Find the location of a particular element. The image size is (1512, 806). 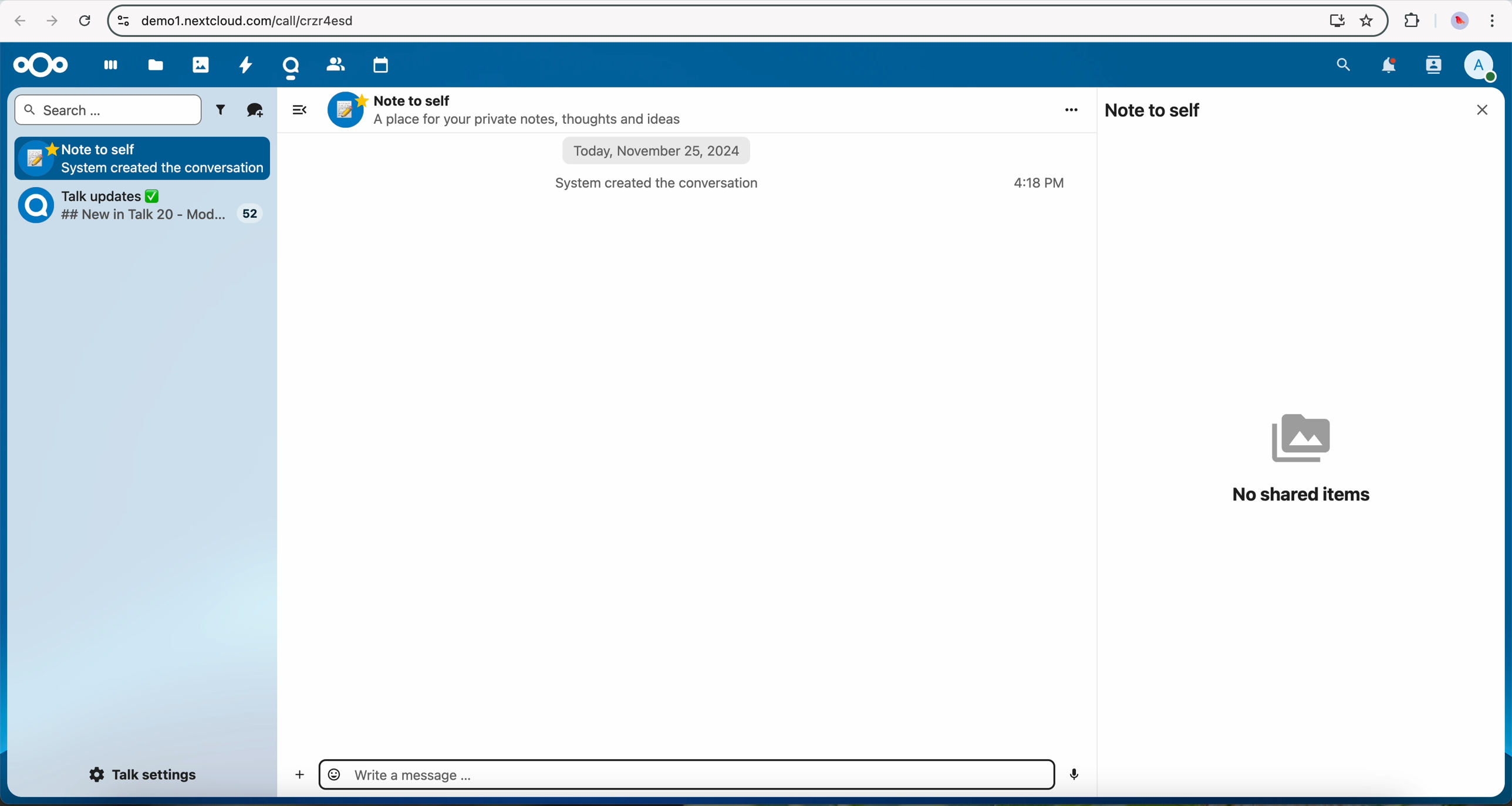

no shared items is located at coordinates (1302, 458).